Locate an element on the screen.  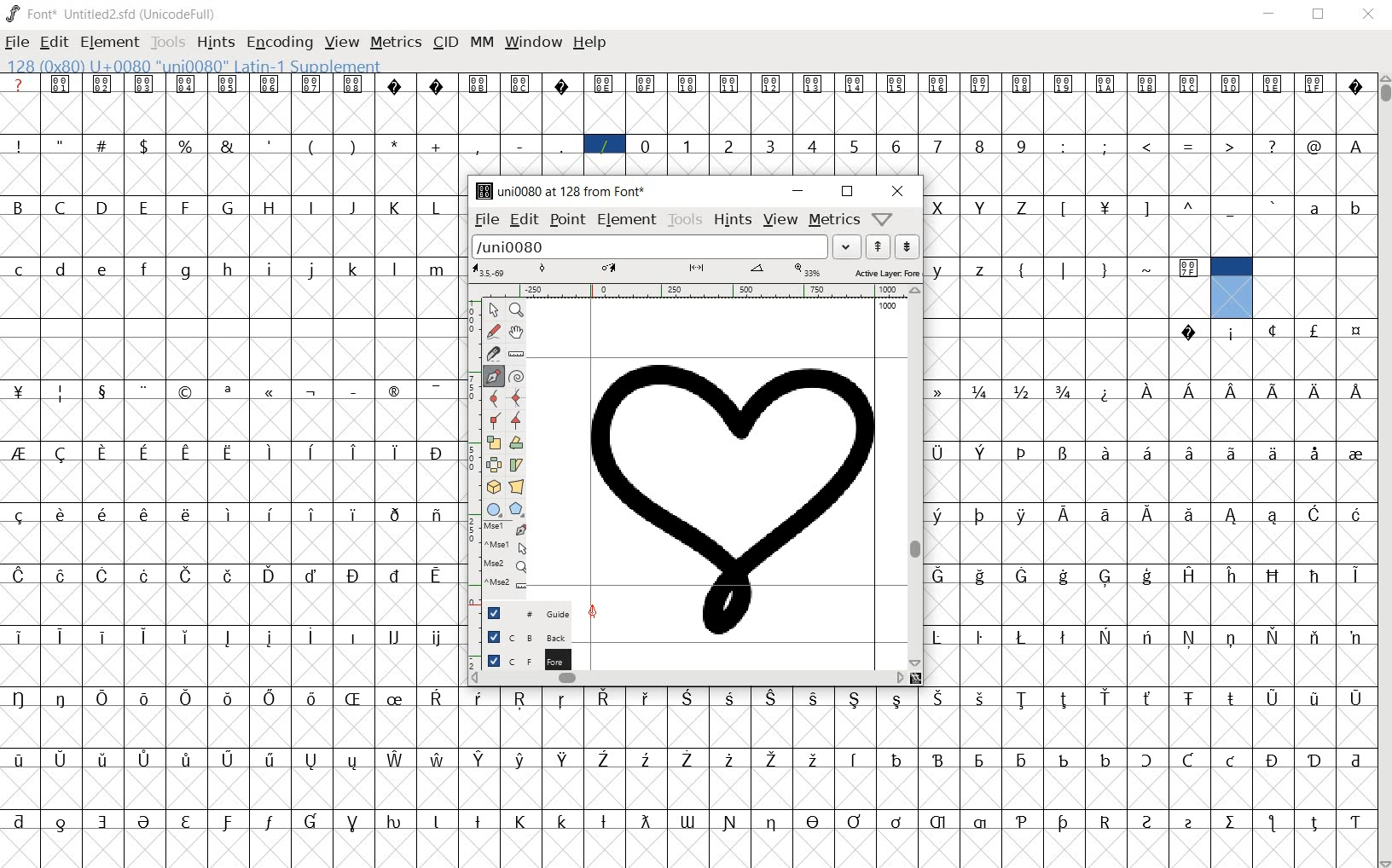
glyph is located at coordinates (937, 576).